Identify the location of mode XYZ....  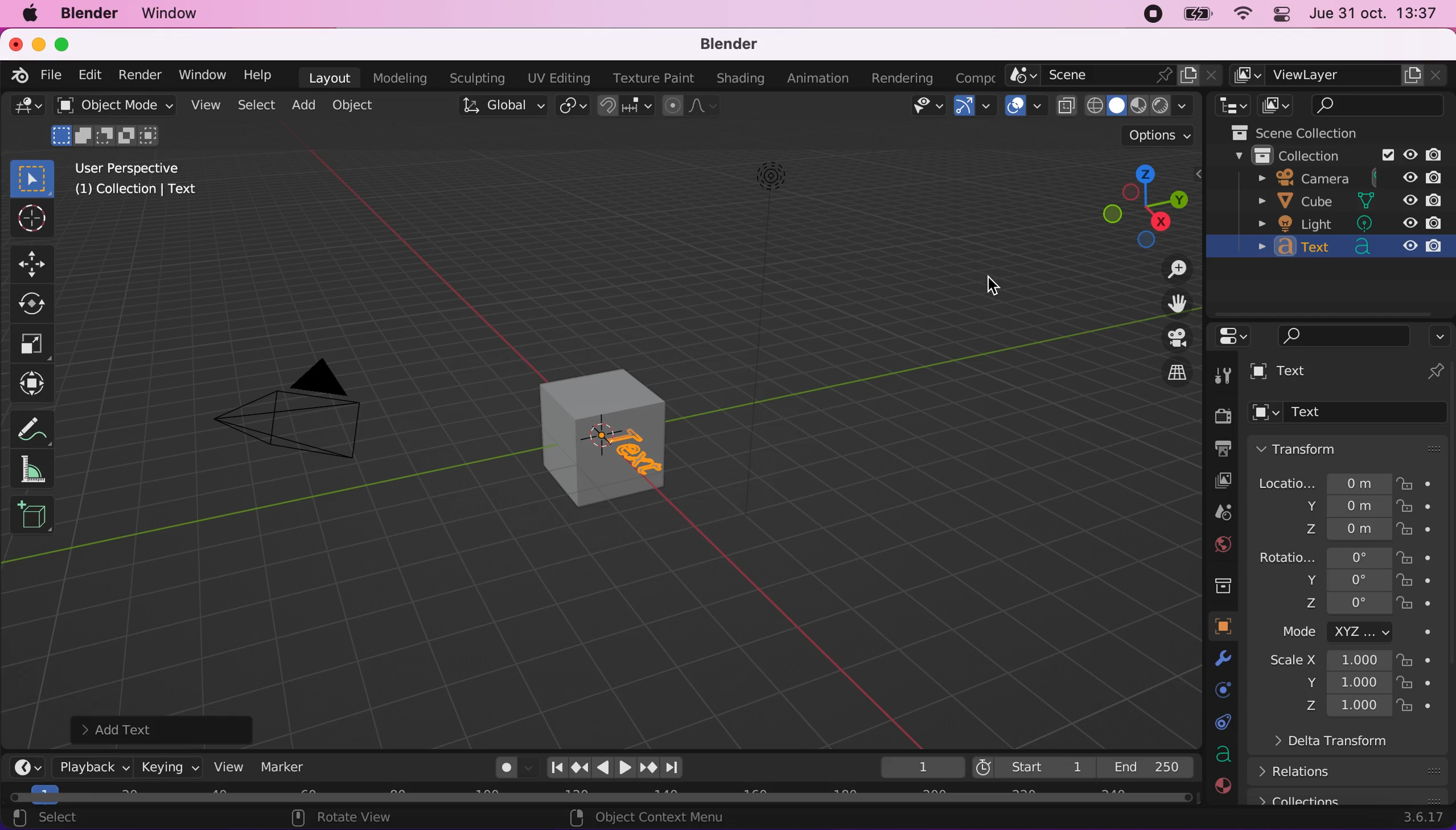
(1360, 630).